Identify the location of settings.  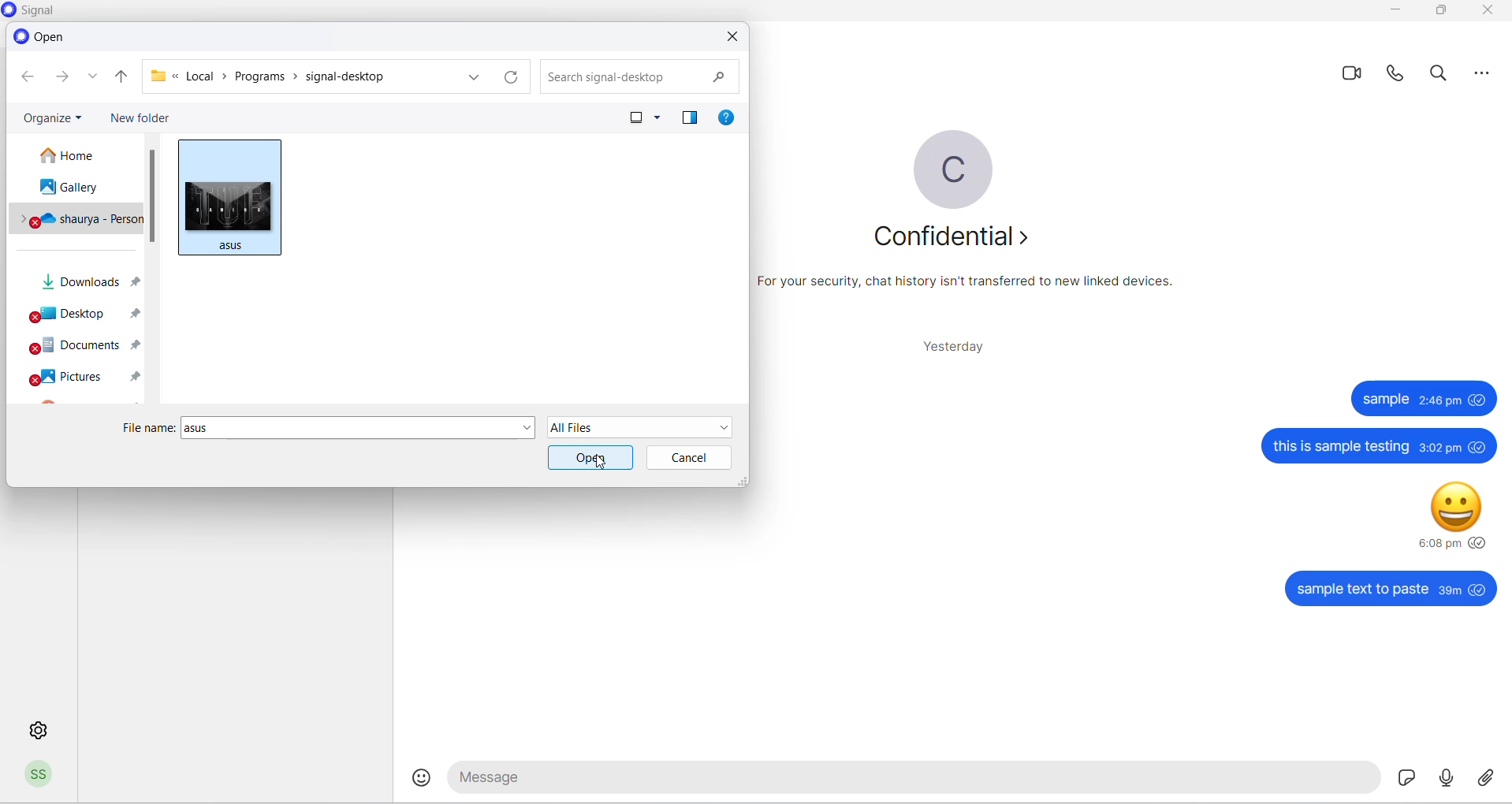
(35, 728).